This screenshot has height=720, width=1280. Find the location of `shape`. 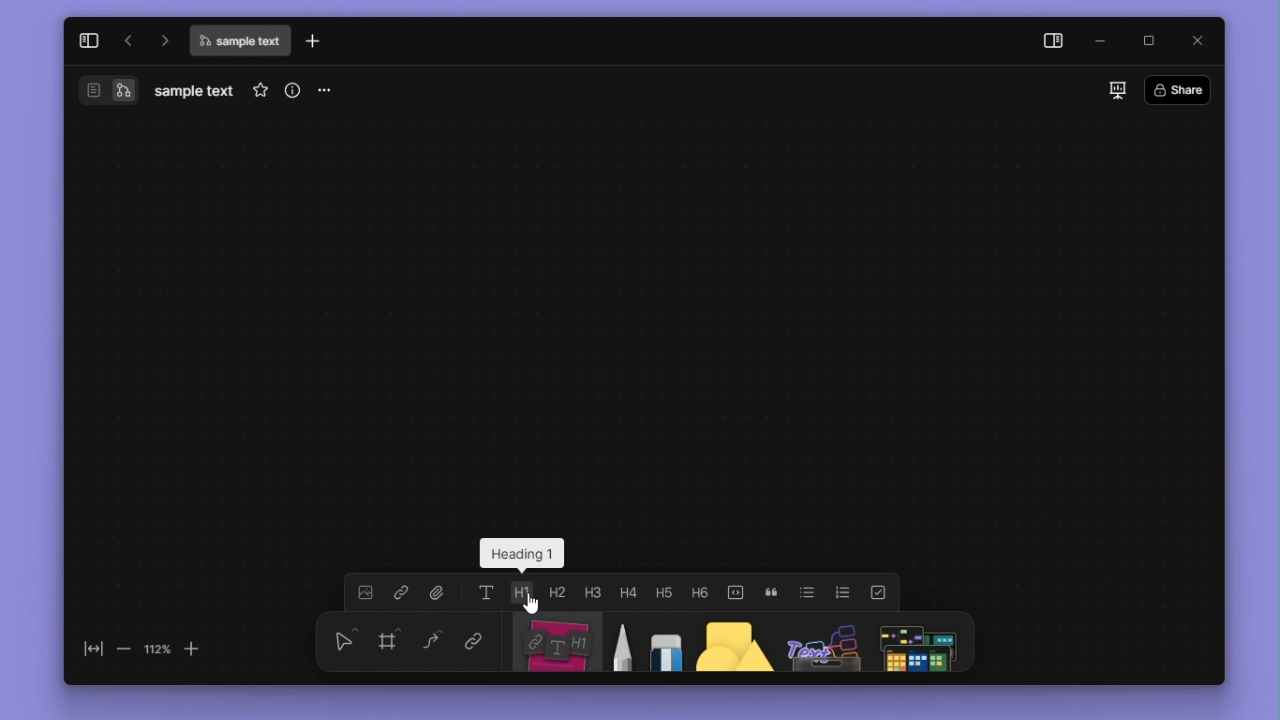

shape is located at coordinates (734, 642).